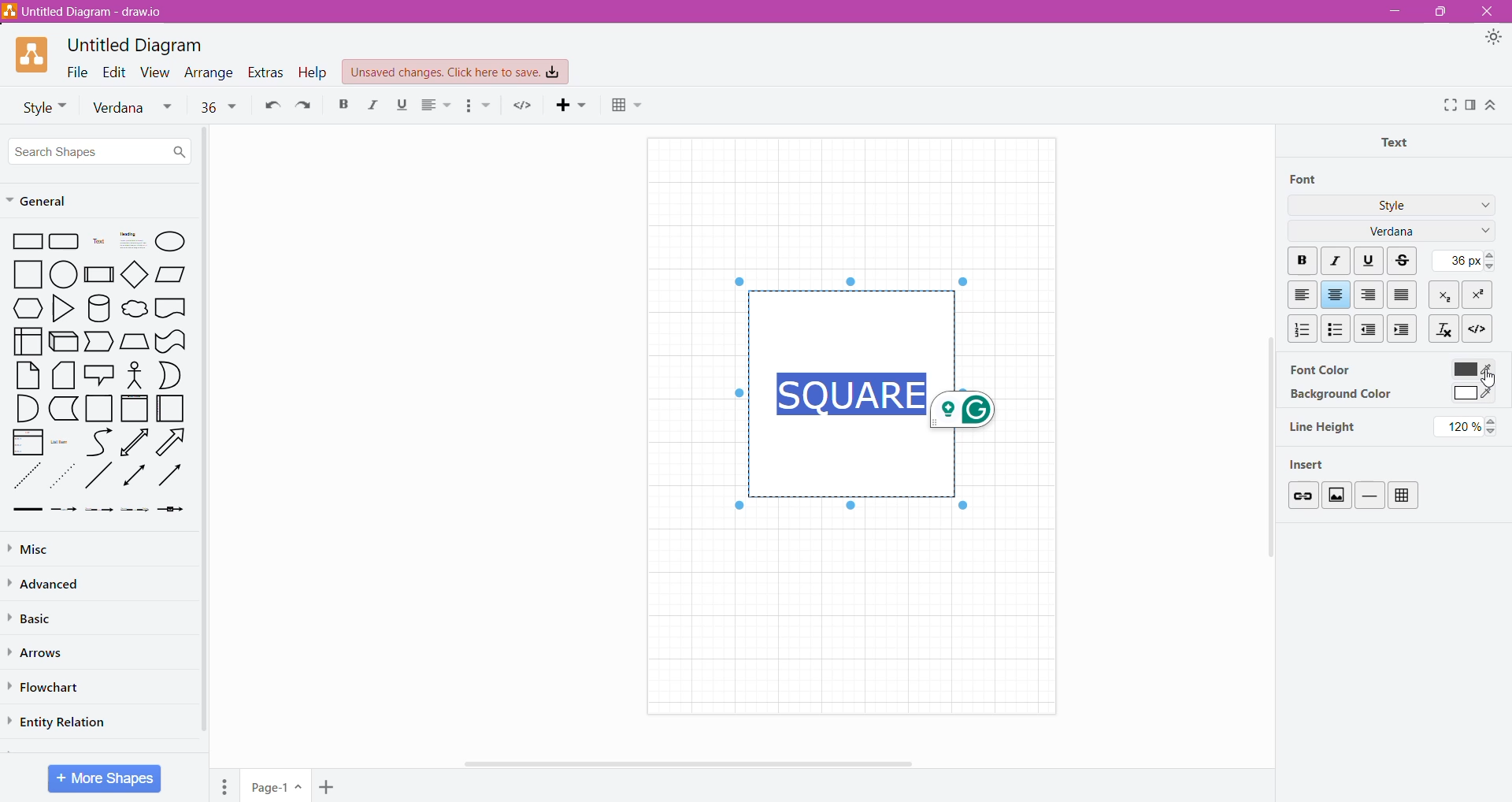 This screenshot has height=802, width=1512. What do you see at coordinates (1340, 395) in the screenshot?
I see `Background Color` at bounding box center [1340, 395].